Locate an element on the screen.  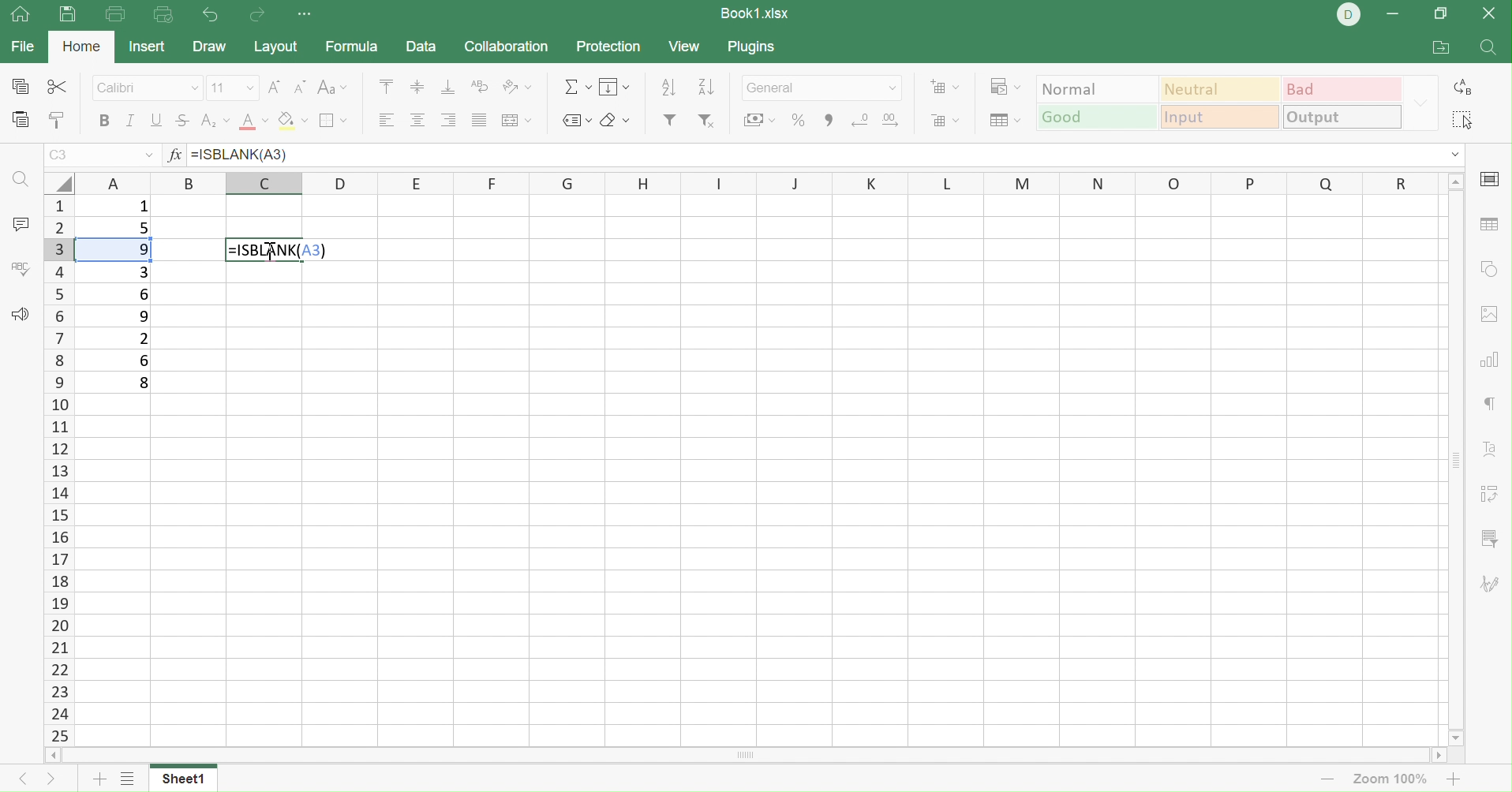
8 is located at coordinates (144, 386).